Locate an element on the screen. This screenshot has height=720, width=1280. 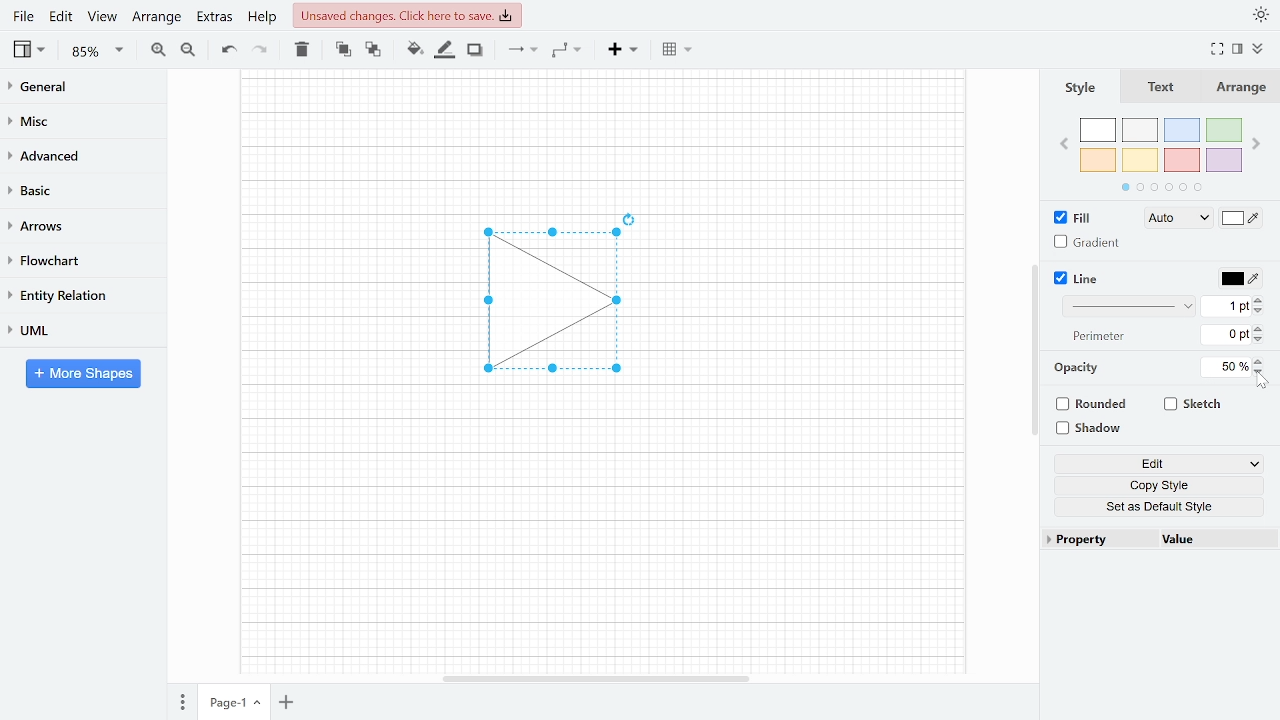
Collapse is located at coordinates (1265, 51).